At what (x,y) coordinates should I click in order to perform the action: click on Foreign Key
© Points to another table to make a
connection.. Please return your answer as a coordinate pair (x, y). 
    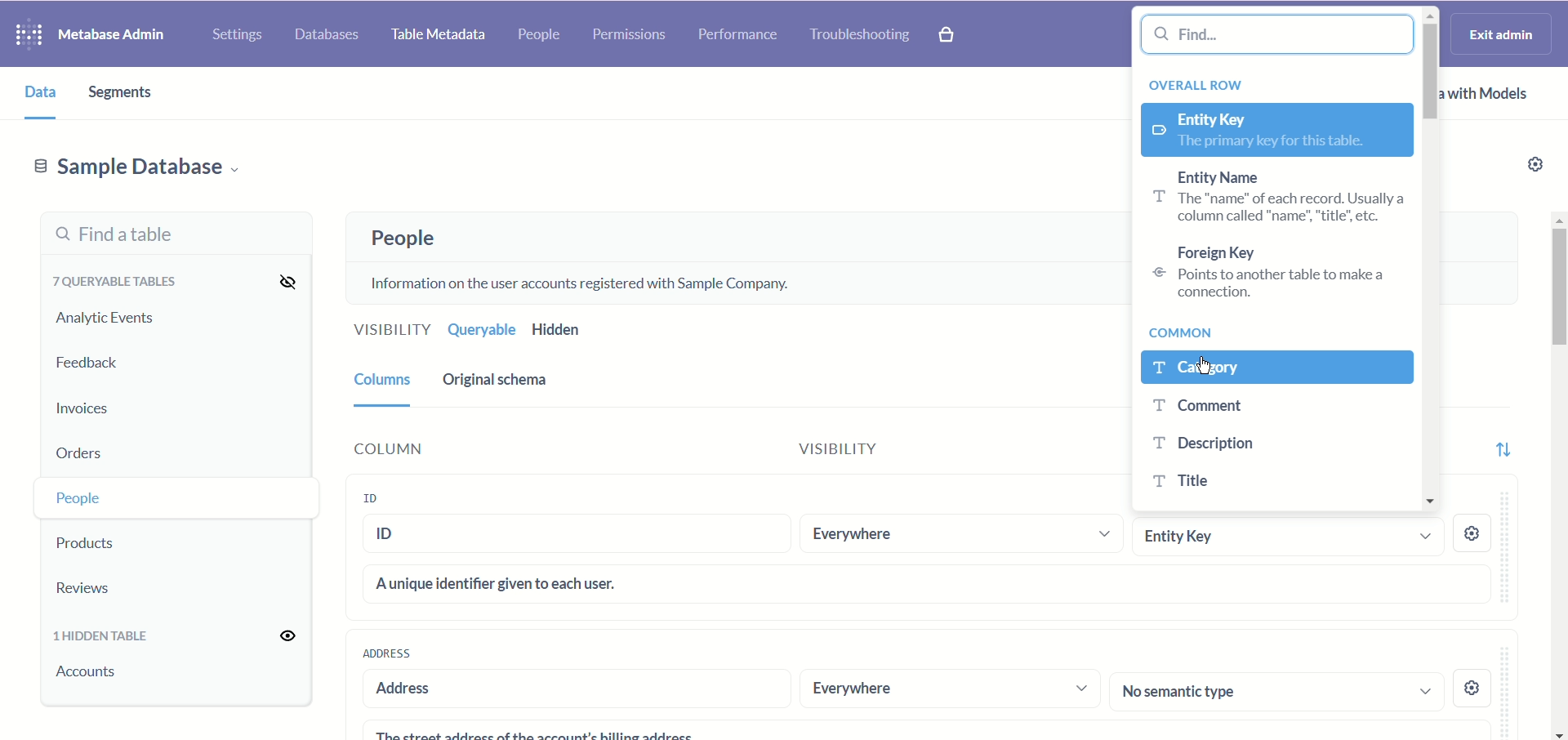
    Looking at the image, I should click on (1264, 273).